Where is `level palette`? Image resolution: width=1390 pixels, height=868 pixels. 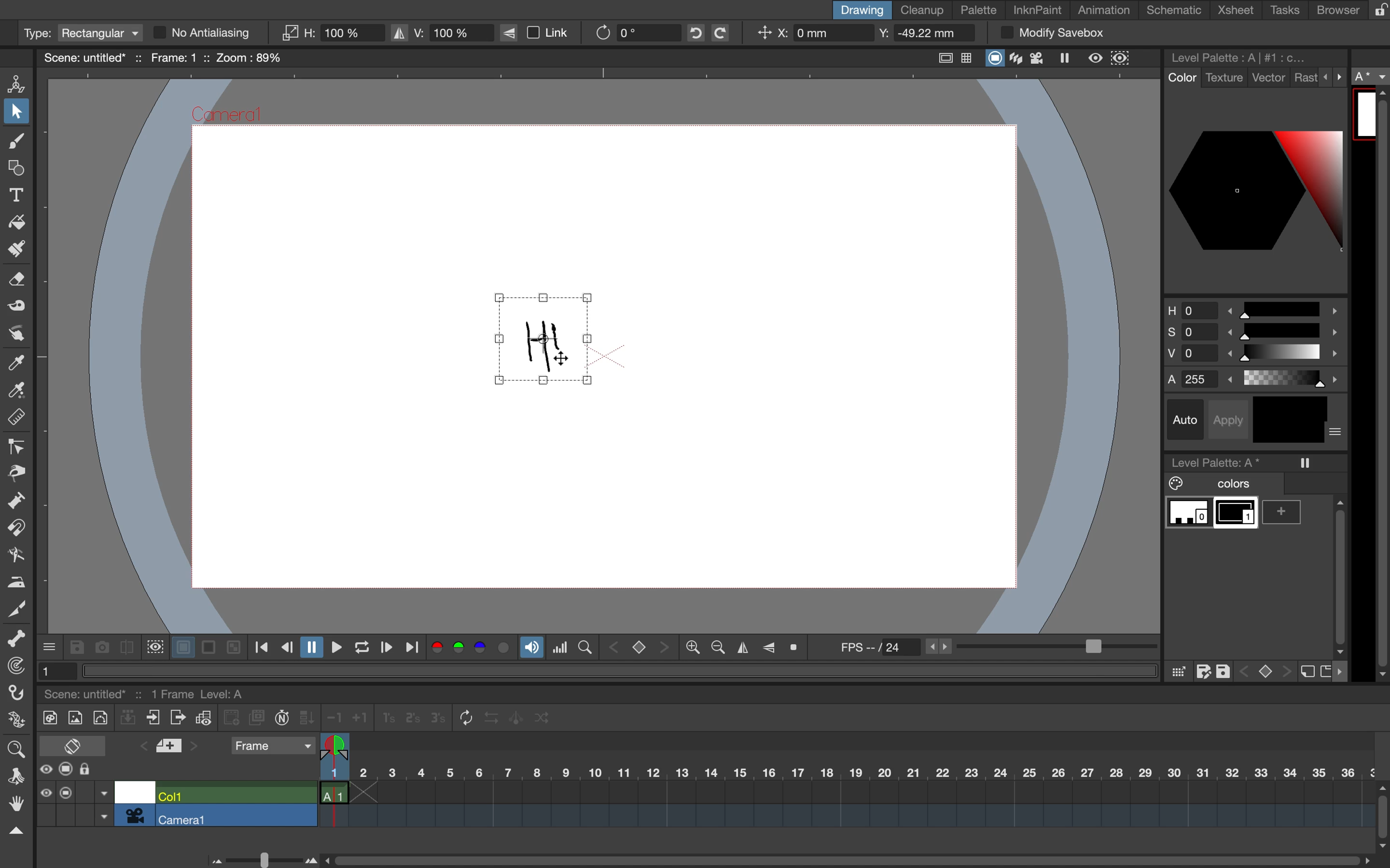 level palette is located at coordinates (1242, 57).